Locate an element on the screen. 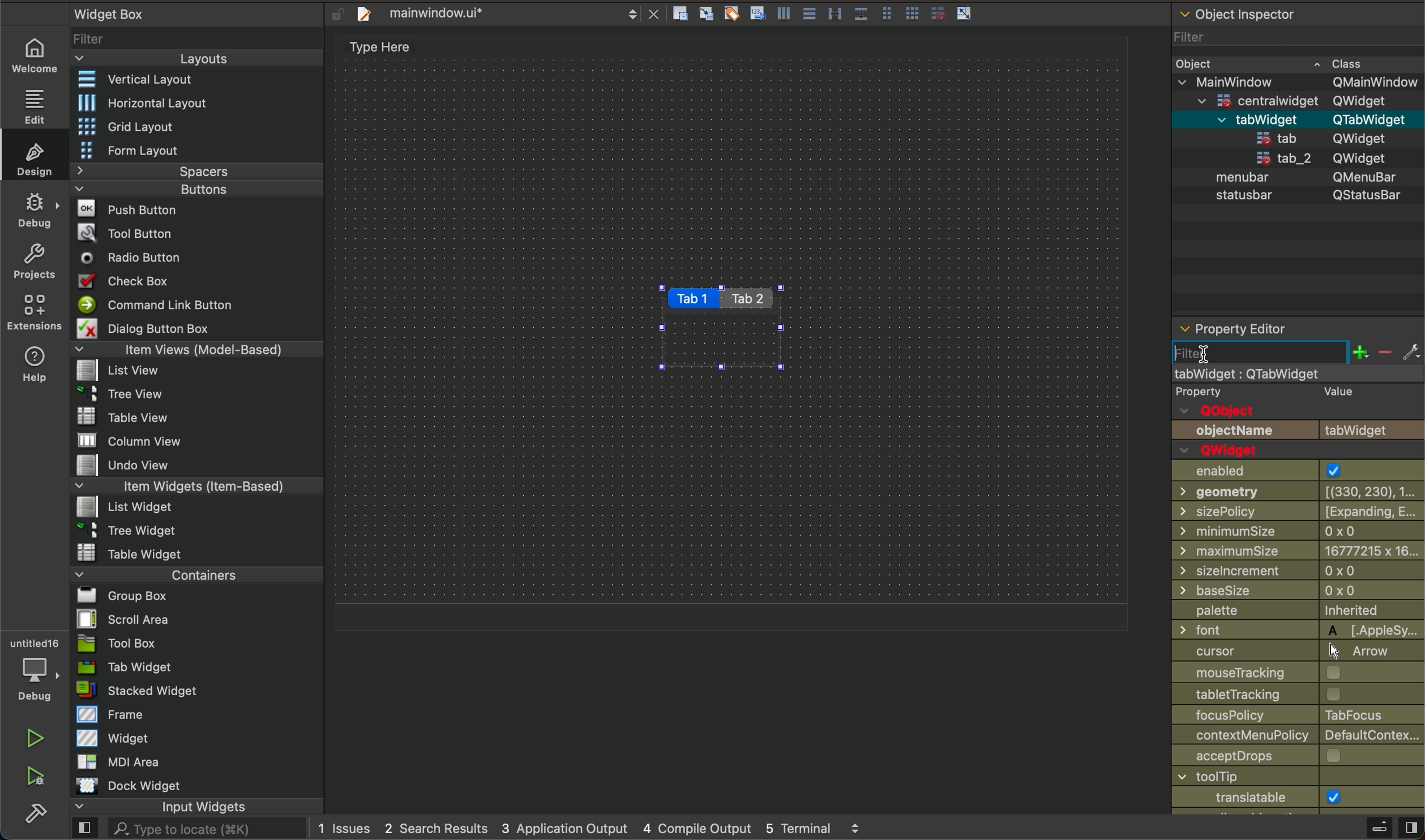 This screenshot has width=1425, height=840. v MainWindow OMainWindow is located at coordinates (1299, 80).